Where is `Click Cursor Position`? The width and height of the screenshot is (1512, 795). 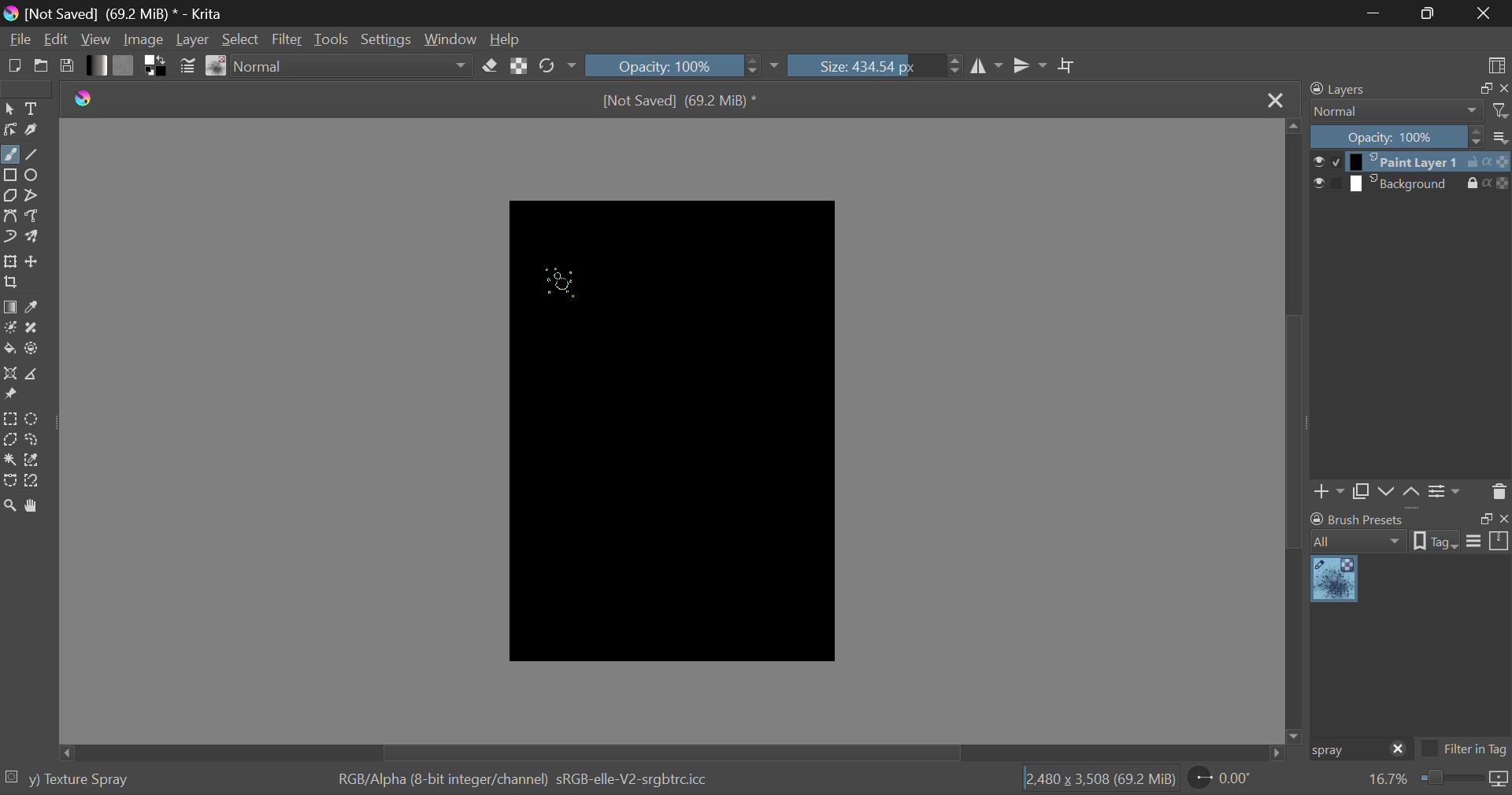
Click Cursor Position is located at coordinates (559, 279).